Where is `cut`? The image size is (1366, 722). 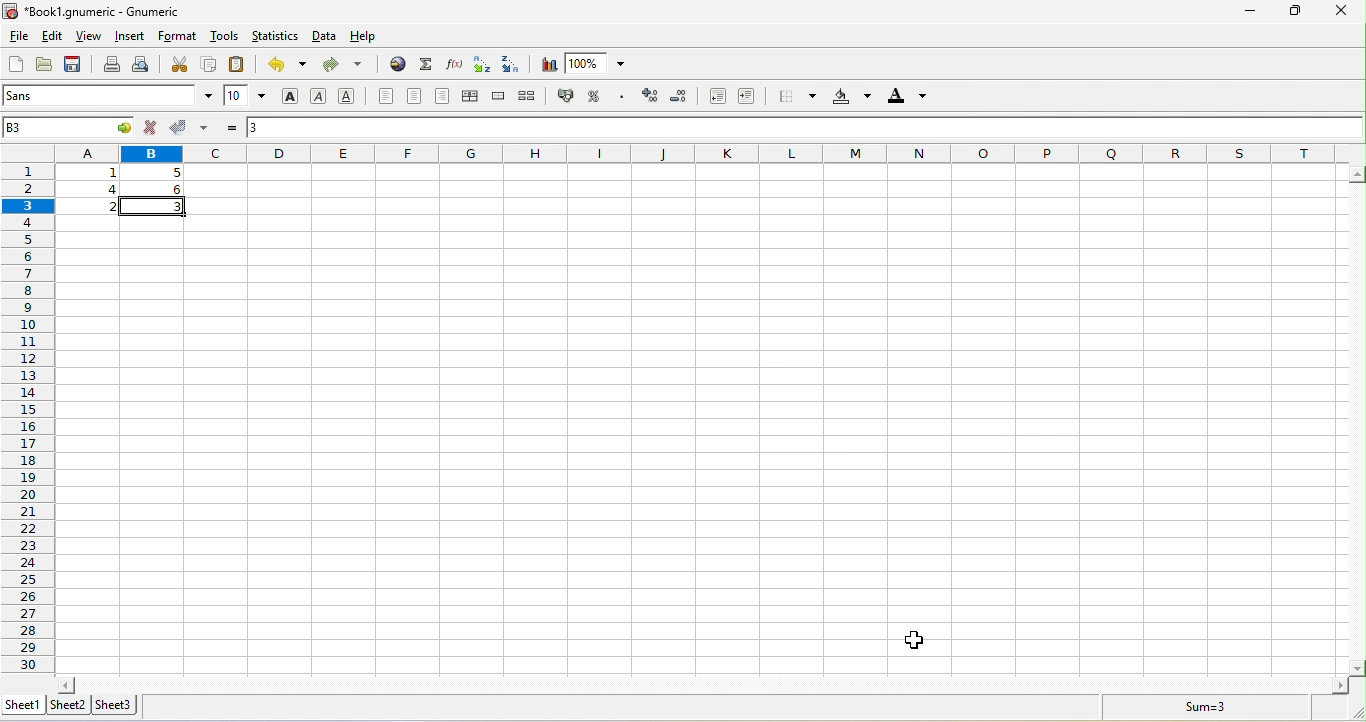
cut is located at coordinates (178, 65).